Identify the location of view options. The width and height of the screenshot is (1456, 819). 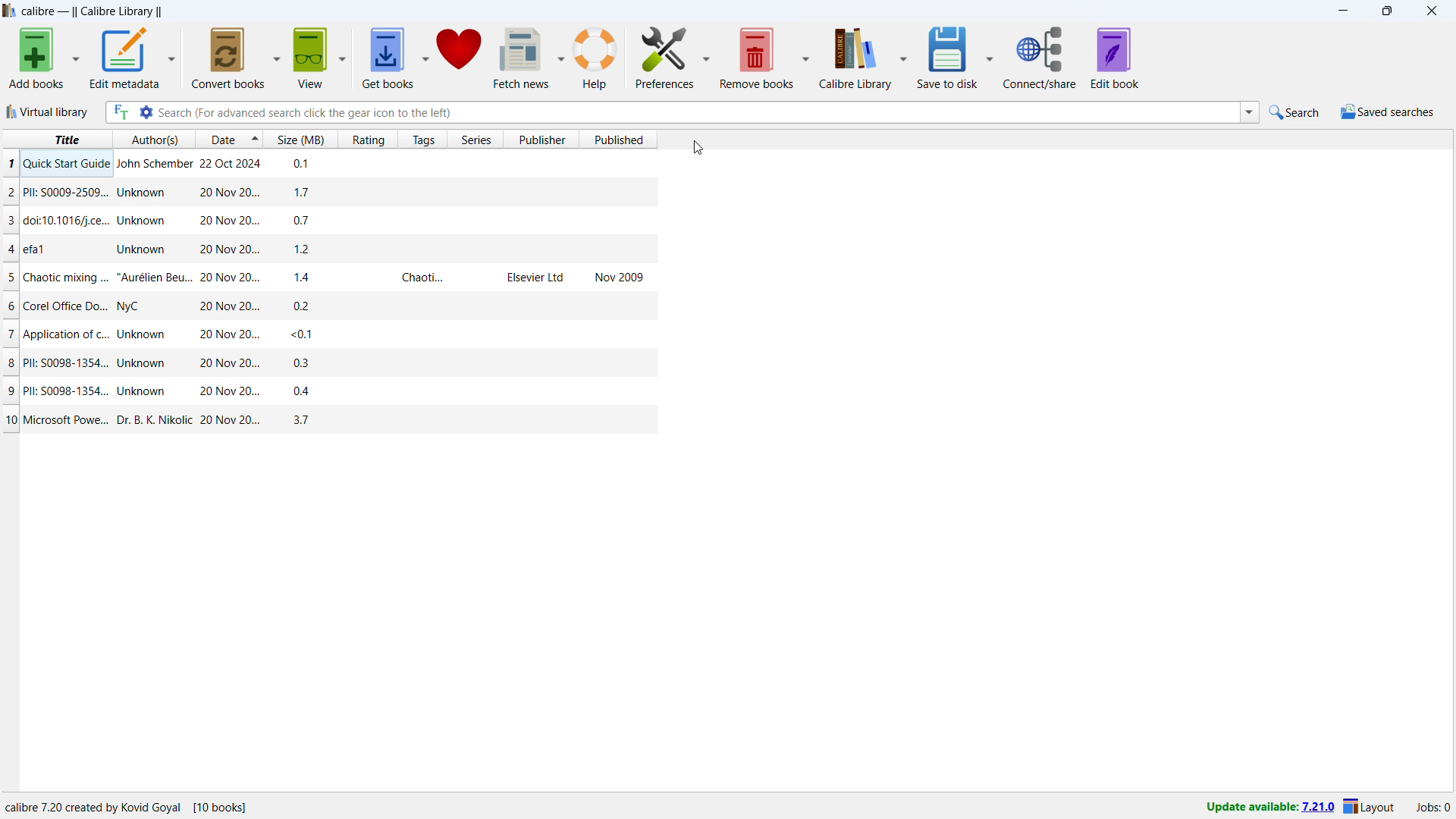
(342, 57).